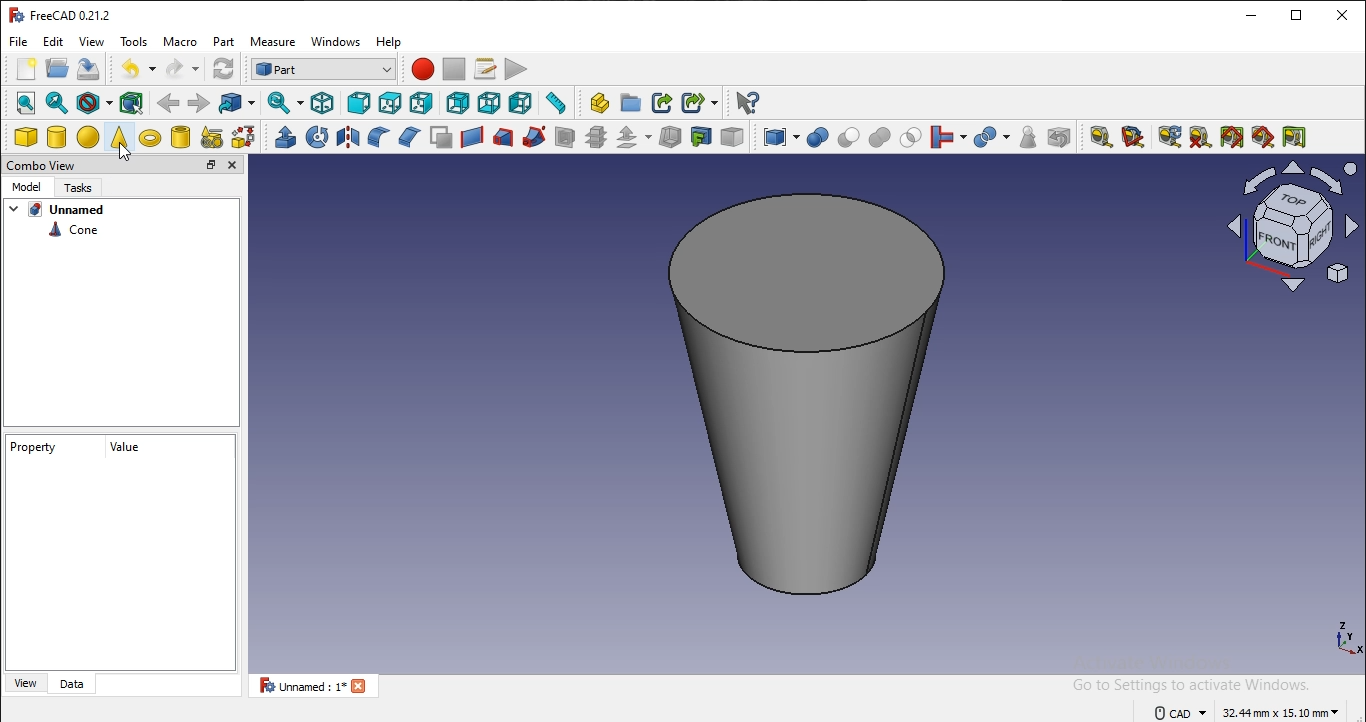 The height and width of the screenshot is (722, 1366). Describe the element at coordinates (30, 682) in the screenshot. I see `view` at that location.